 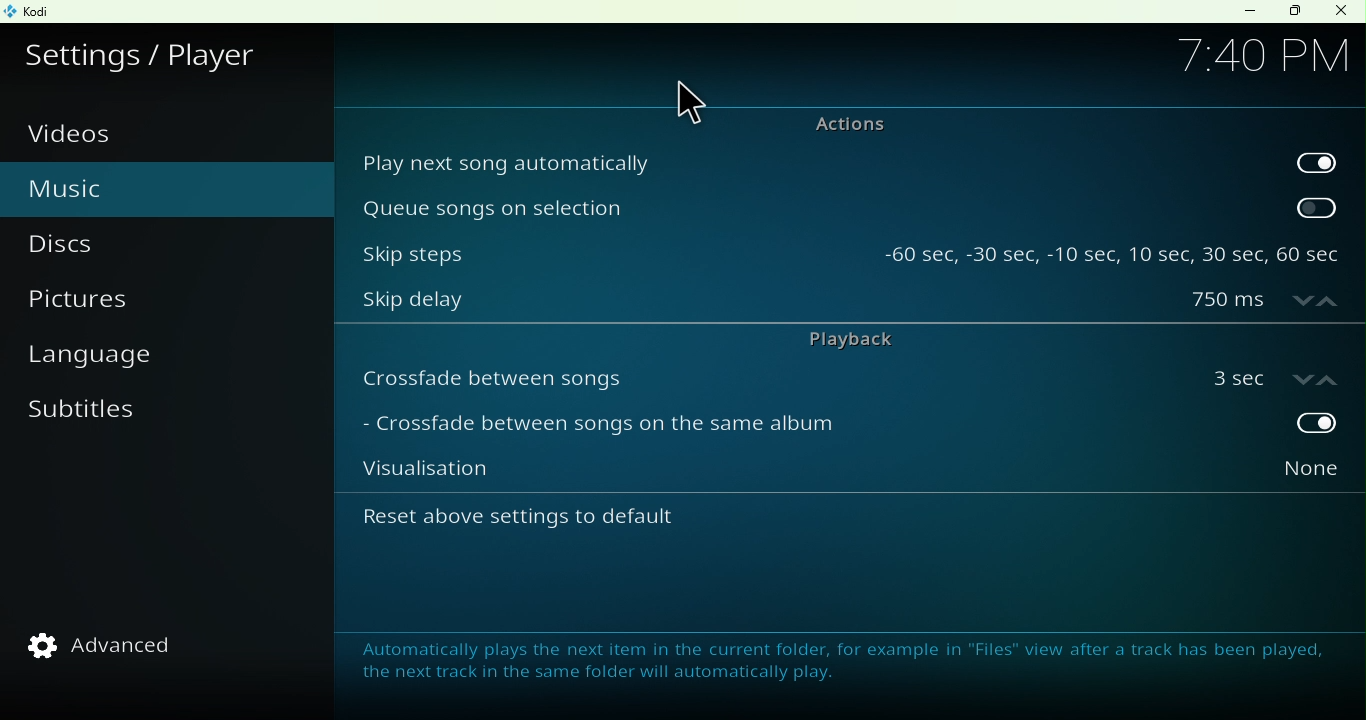 What do you see at coordinates (89, 422) in the screenshot?
I see `Subtitles` at bounding box center [89, 422].